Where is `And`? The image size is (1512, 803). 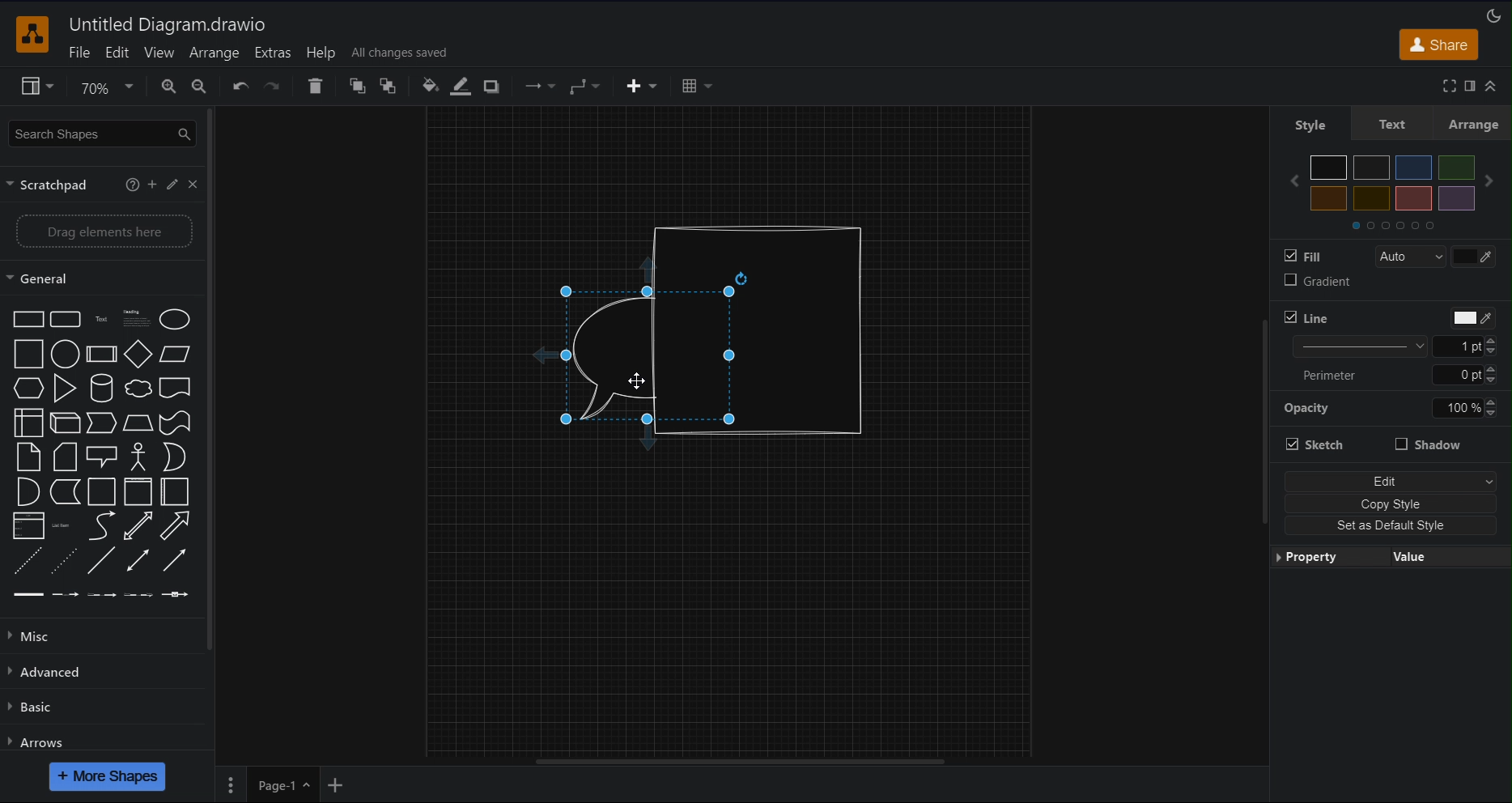
And is located at coordinates (29, 491).